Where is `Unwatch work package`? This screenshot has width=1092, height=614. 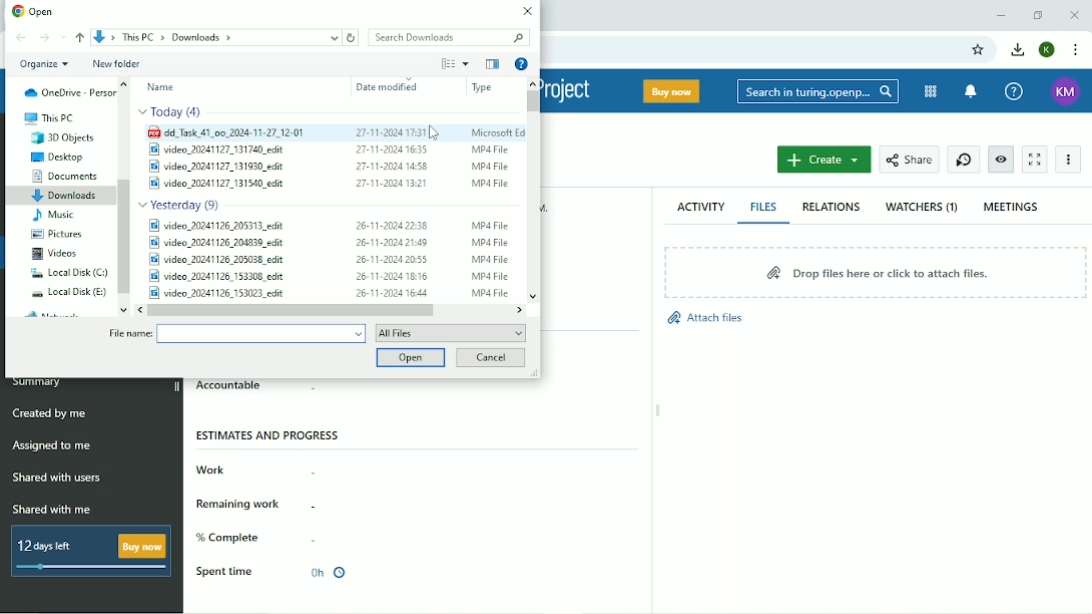
Unwatch work package is located at coordinates (1001, 159).